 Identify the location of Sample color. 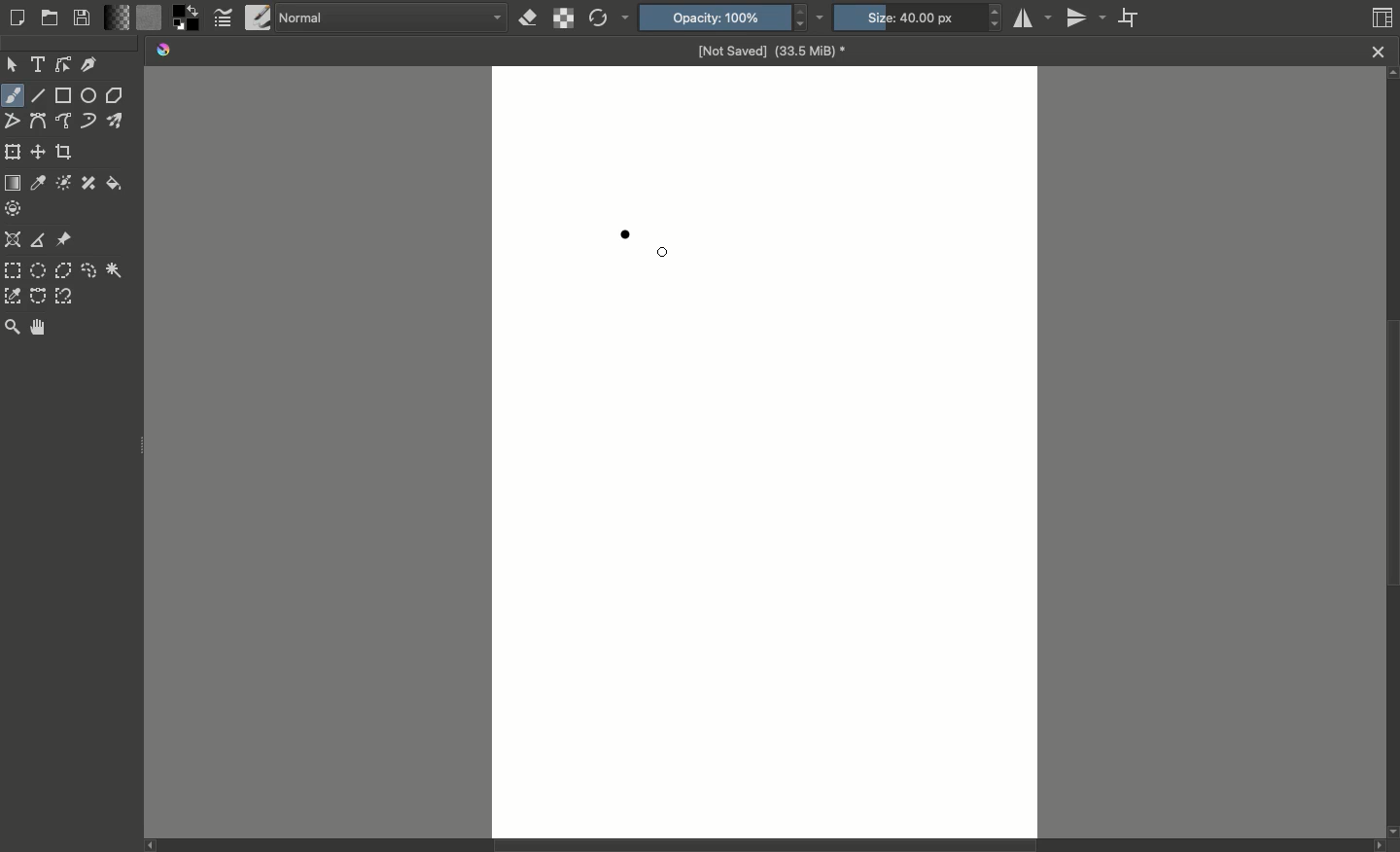
(39, 182).